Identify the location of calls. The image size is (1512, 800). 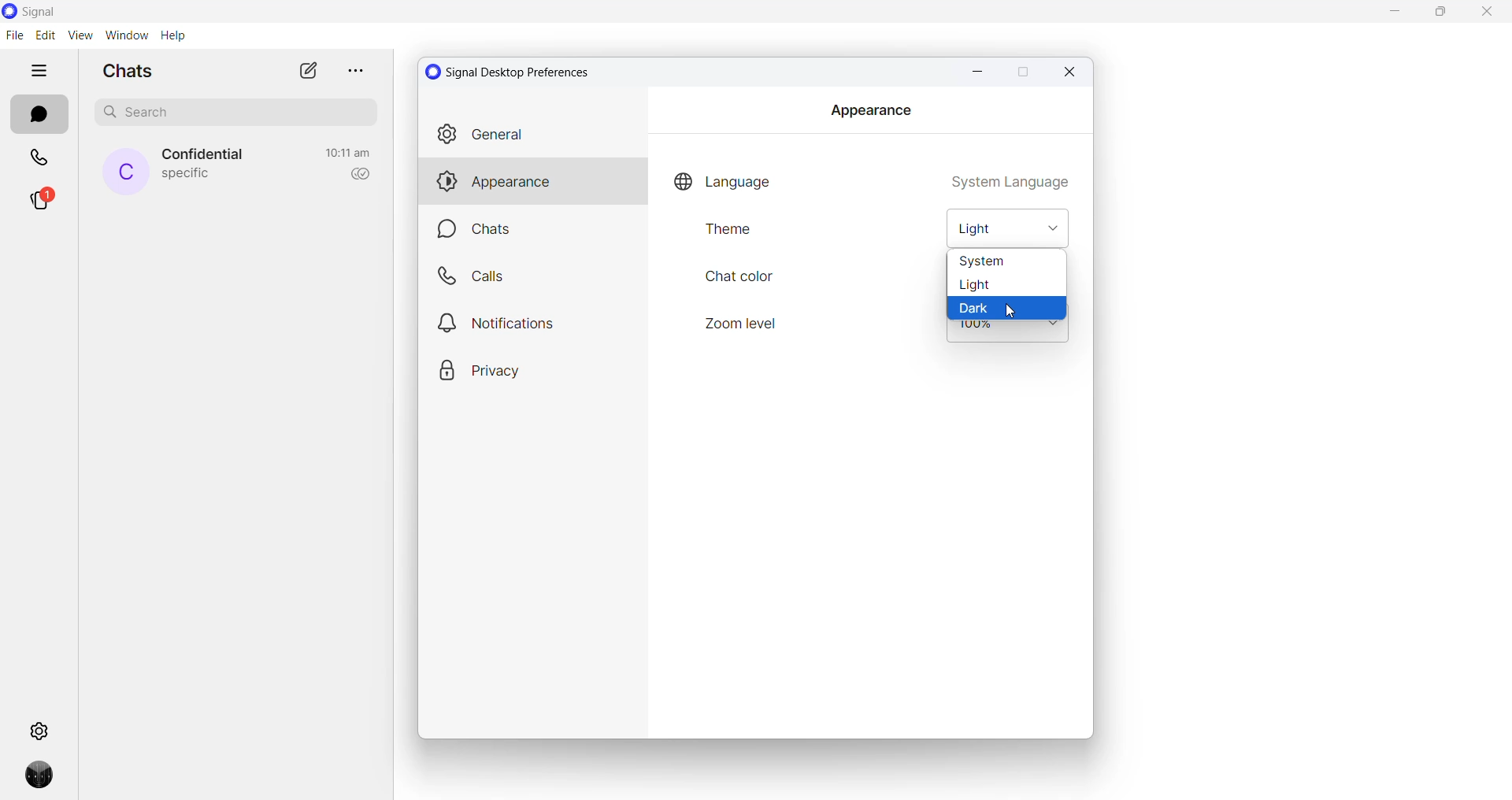
(41, 160).